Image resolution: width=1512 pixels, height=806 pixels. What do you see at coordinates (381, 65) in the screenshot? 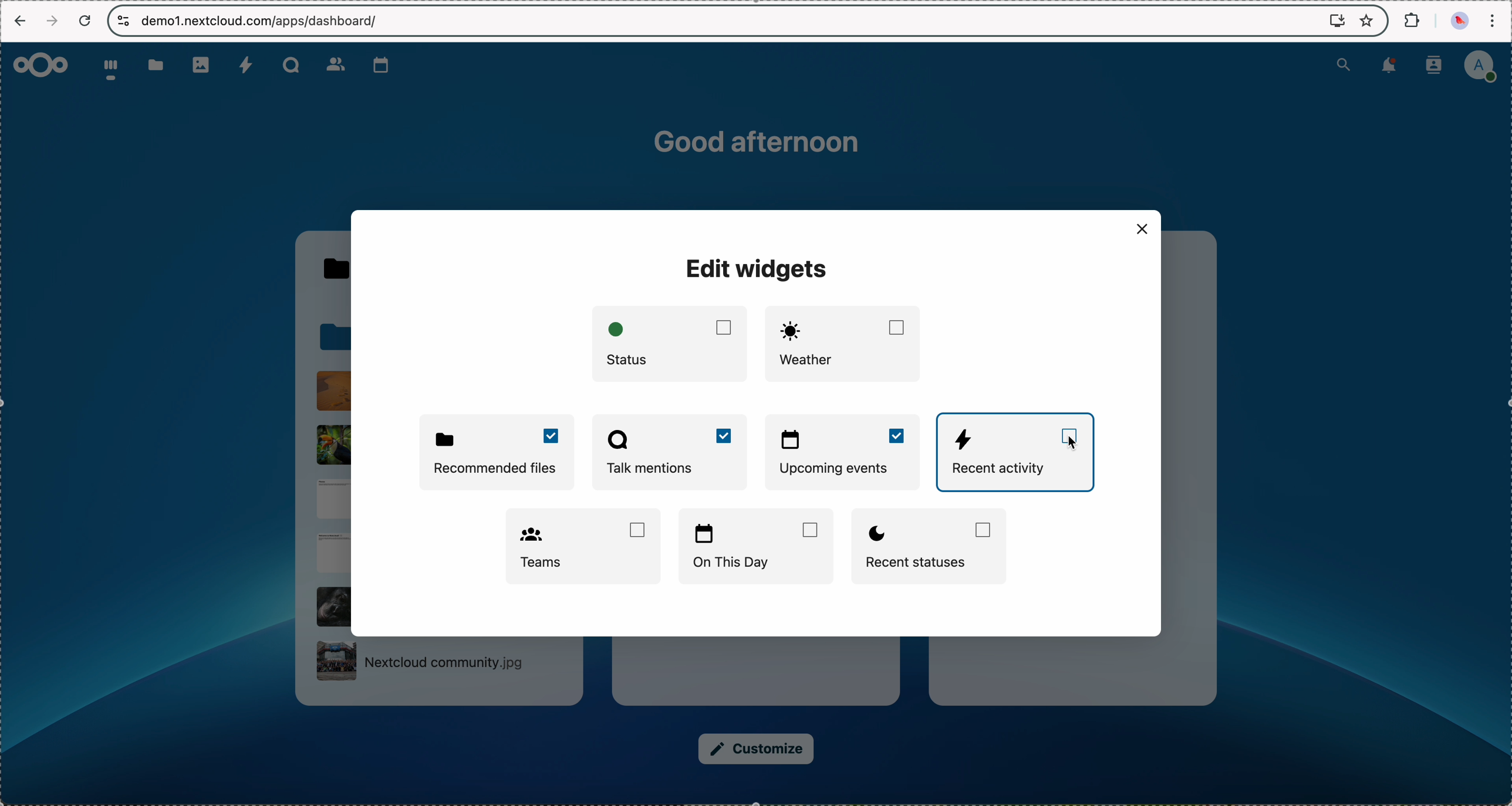
I see `calendar` at bounding box center [381, 65].